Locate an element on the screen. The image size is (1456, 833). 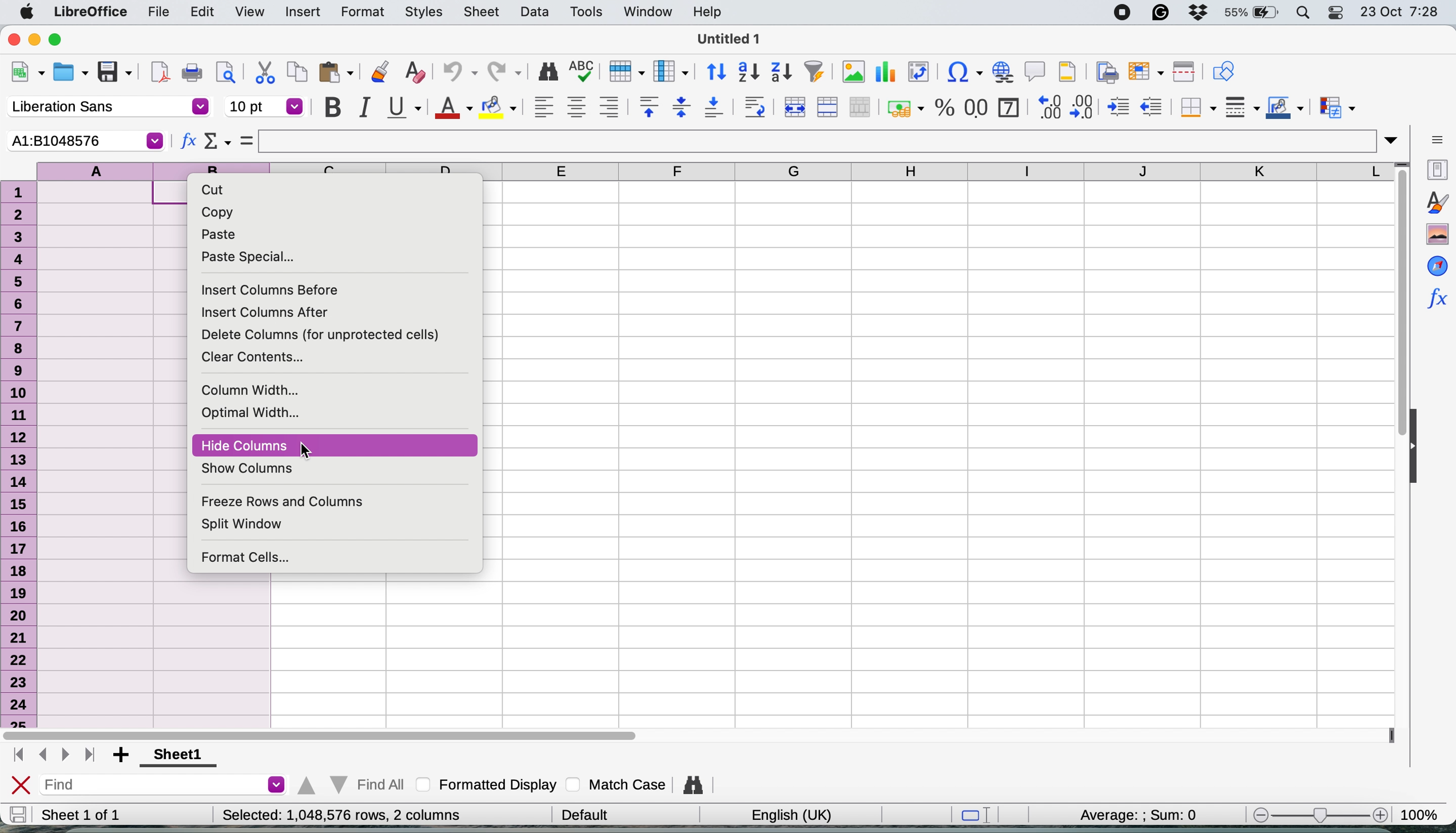
split window is located at coordinates (247, 526).